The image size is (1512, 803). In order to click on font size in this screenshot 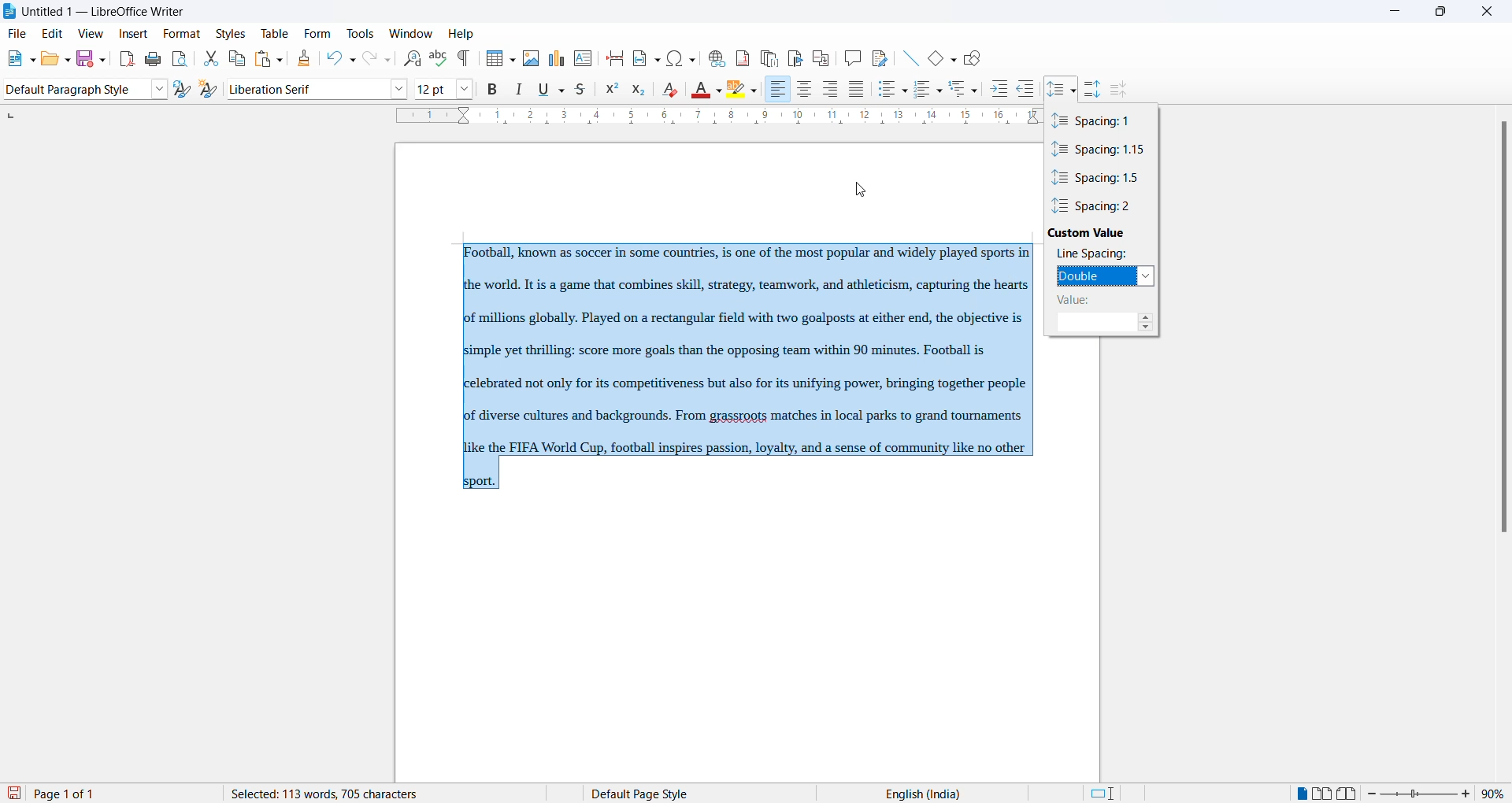, I will do `click(433, 88)`.